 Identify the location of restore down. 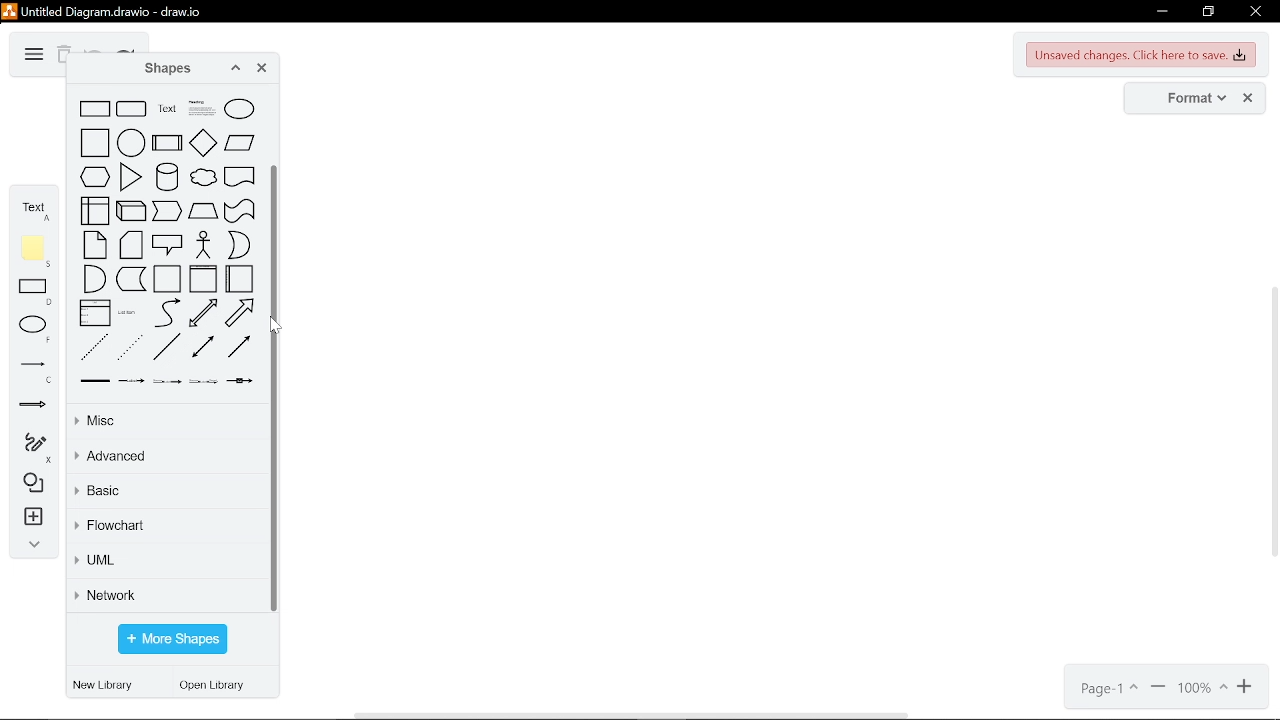
(1208, 12).